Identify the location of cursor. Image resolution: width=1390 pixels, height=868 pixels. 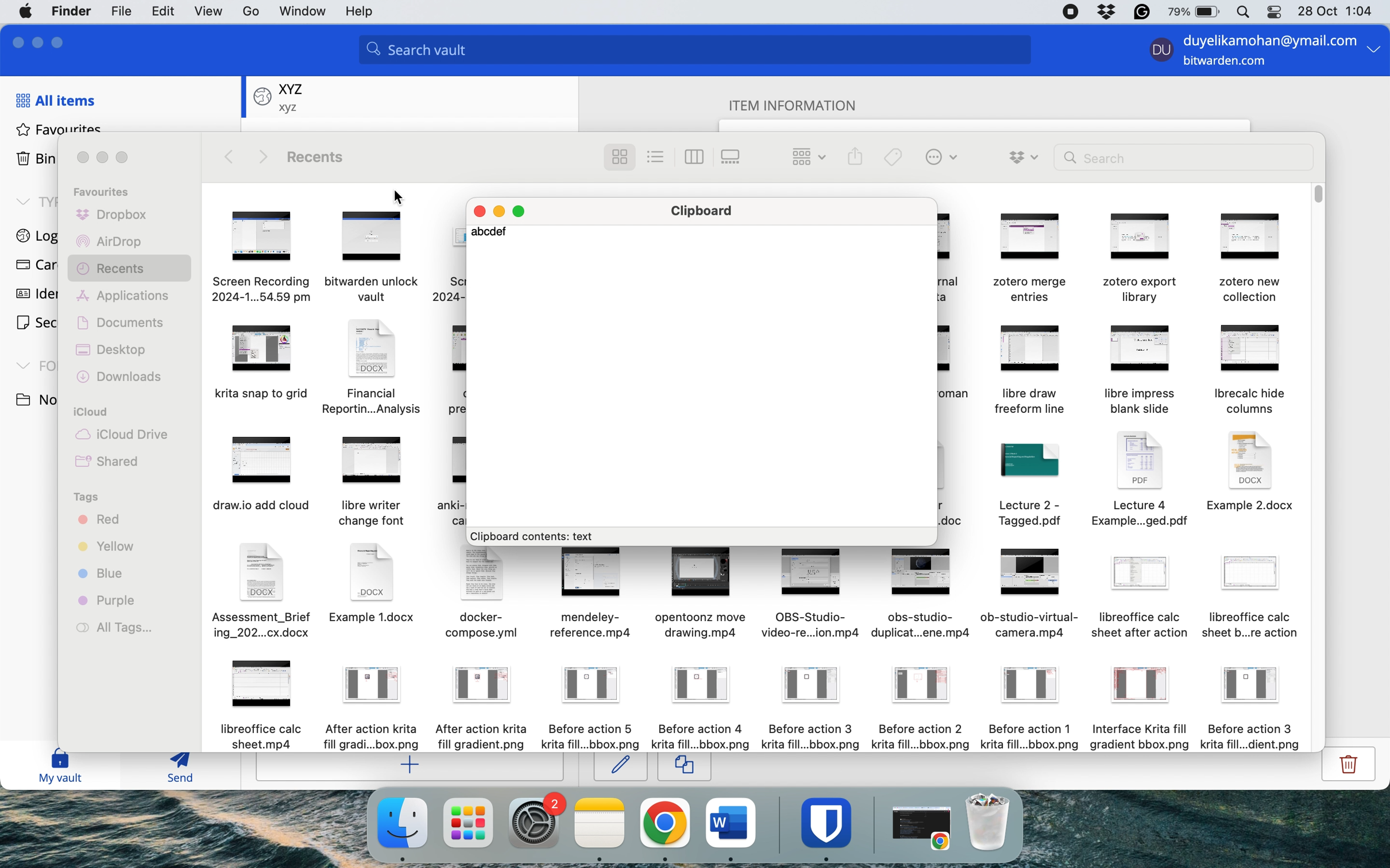
(404, 848).